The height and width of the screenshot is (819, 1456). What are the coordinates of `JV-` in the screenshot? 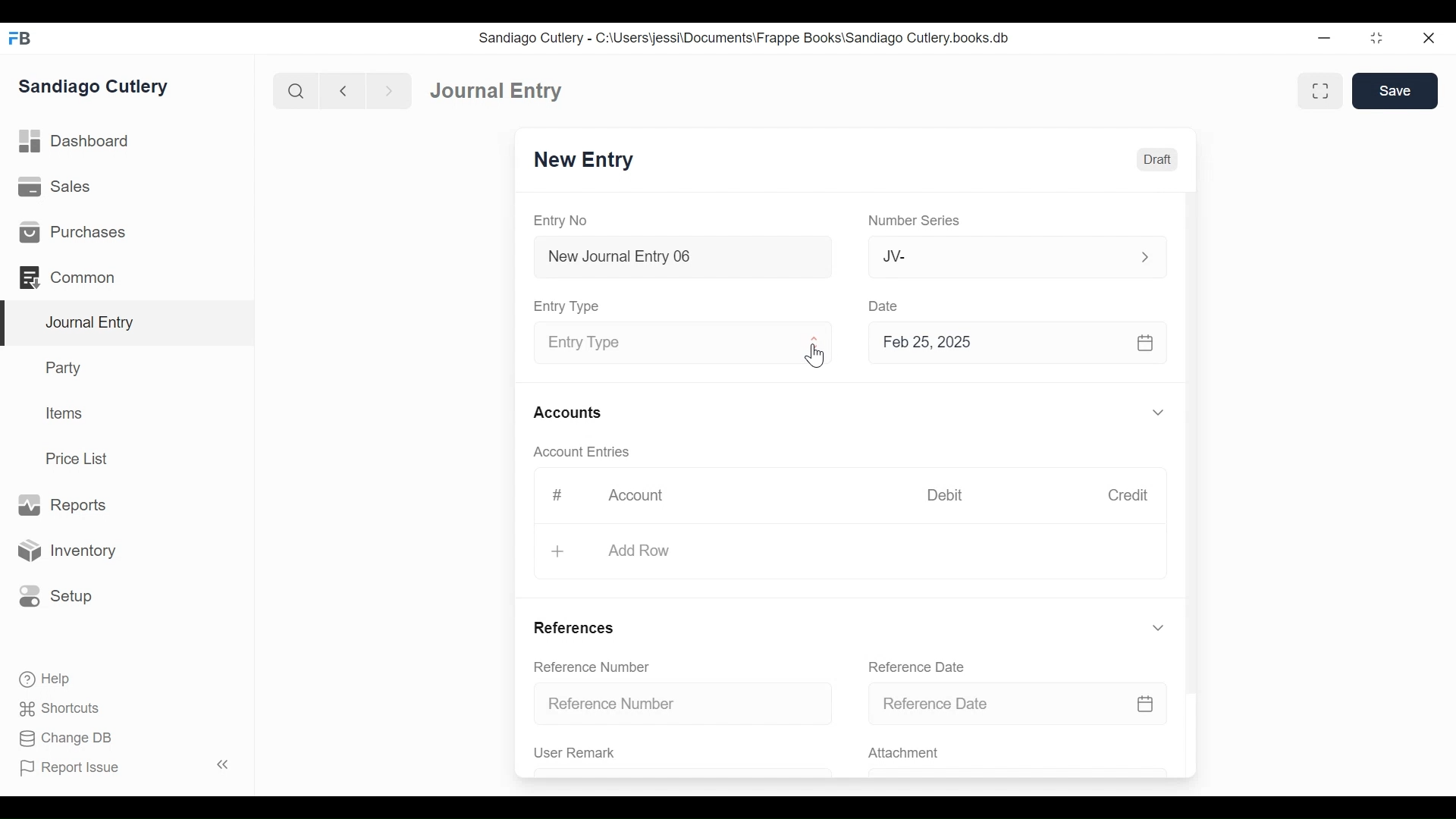 It's located at (999, 255).